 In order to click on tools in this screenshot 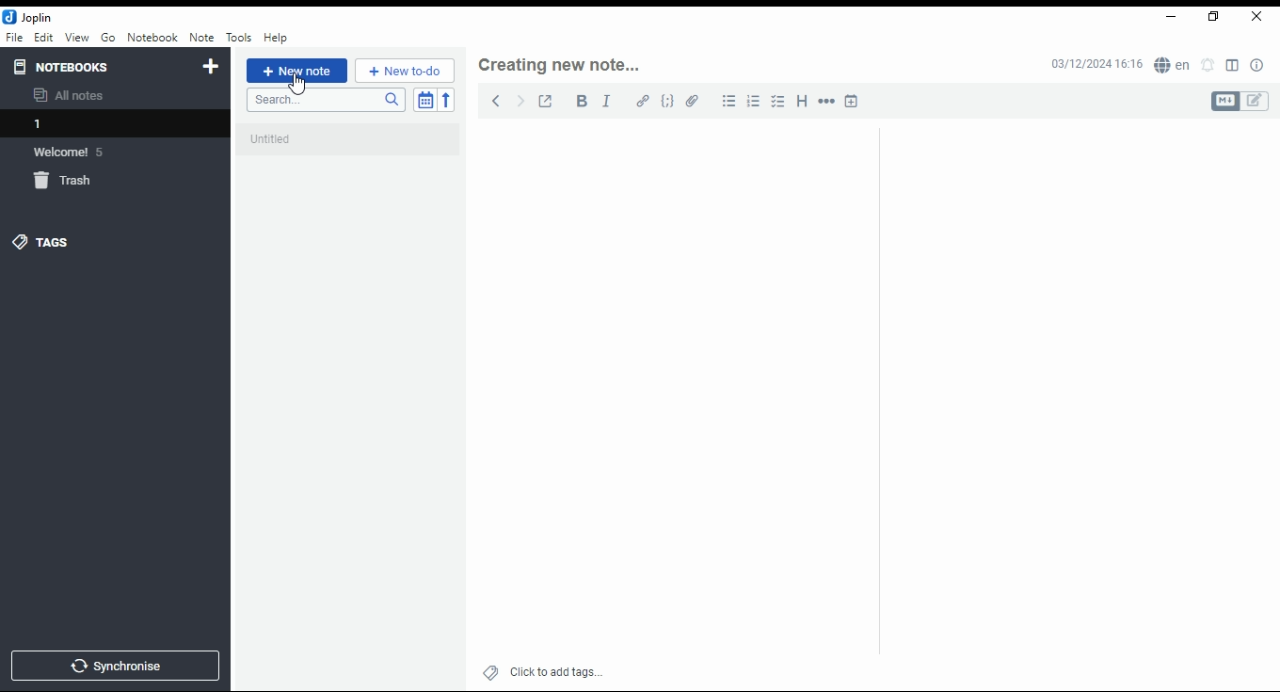, I will do `click(240, 38)`.